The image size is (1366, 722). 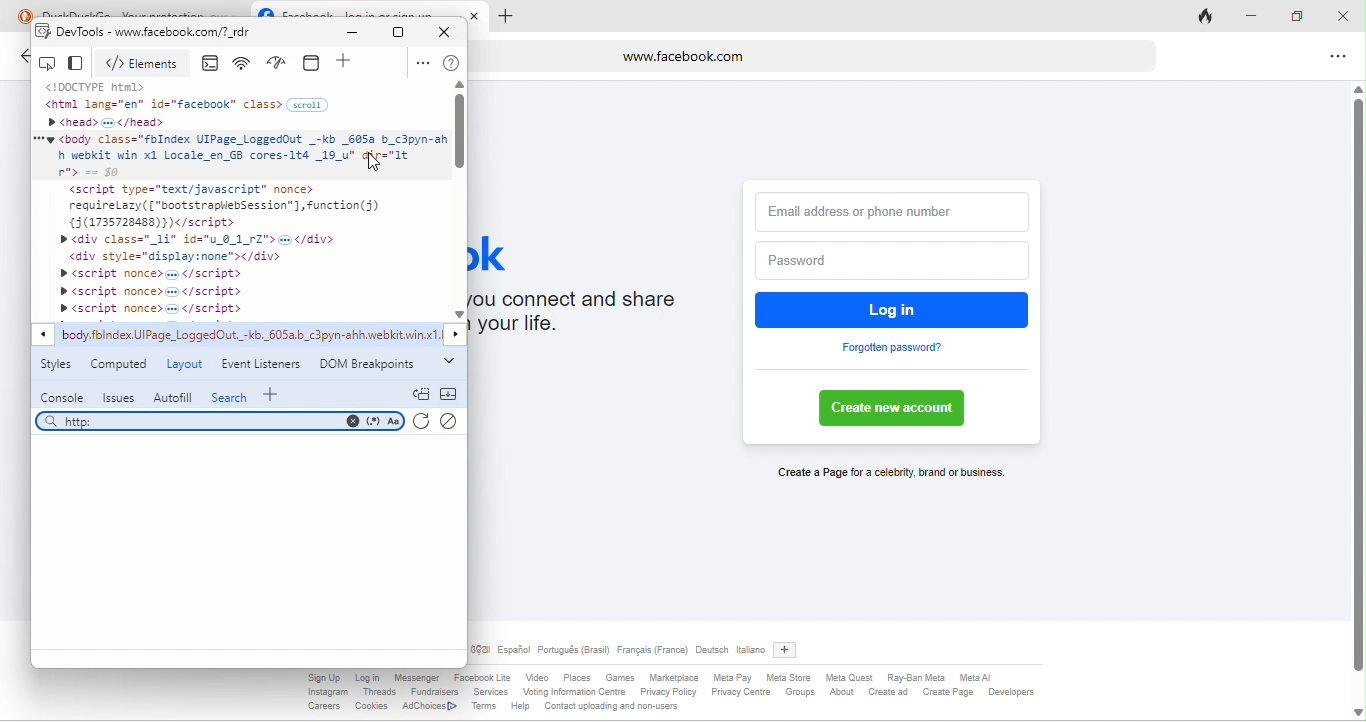 What do you see at coordinates (1208, 15) in the screenshot?
I see `close tab and clear data` at bounding box center [1208, 15].